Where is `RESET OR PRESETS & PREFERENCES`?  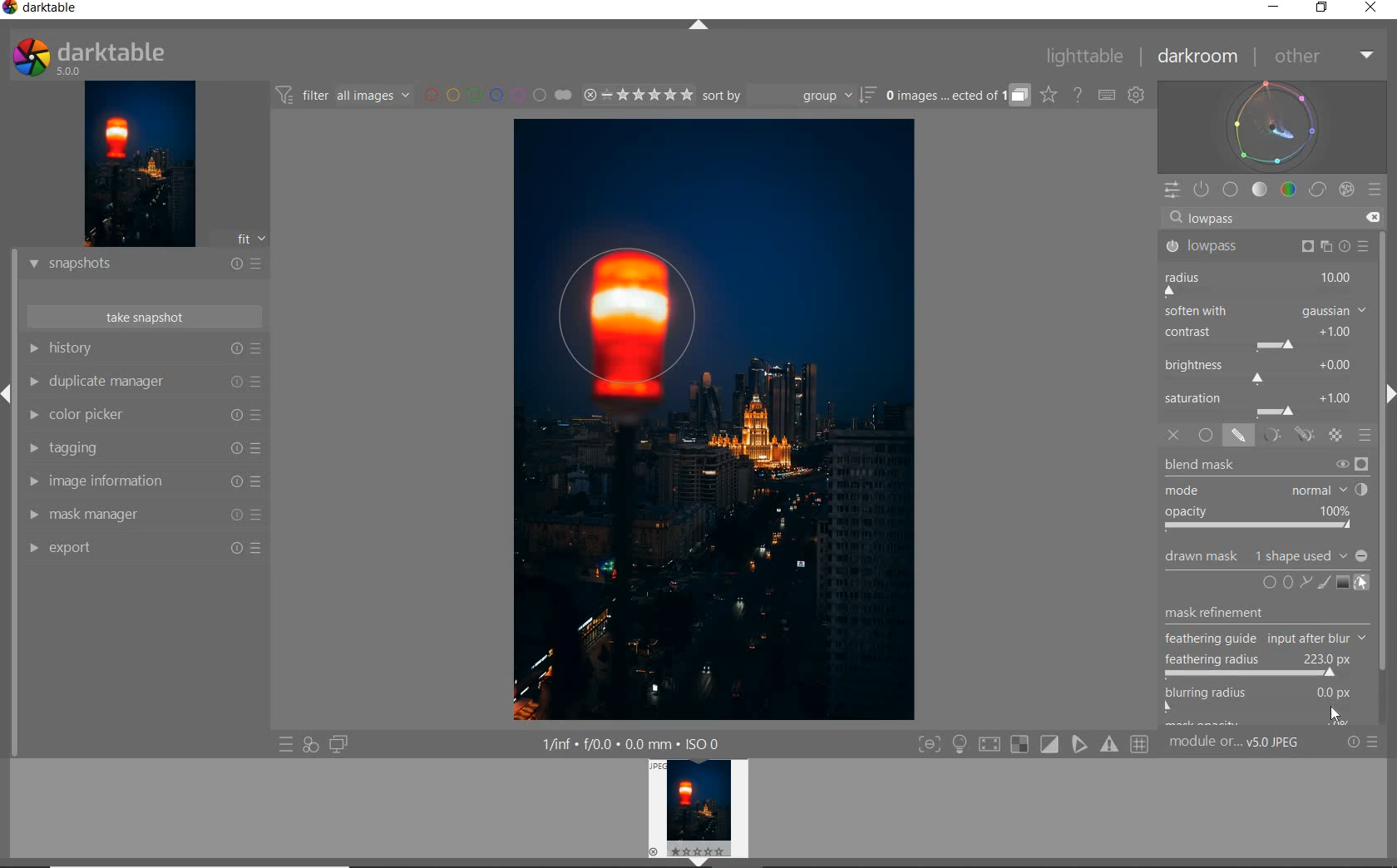 RESET OR PRESETS & PREFERENCES is located at coordinates (1369, 742).